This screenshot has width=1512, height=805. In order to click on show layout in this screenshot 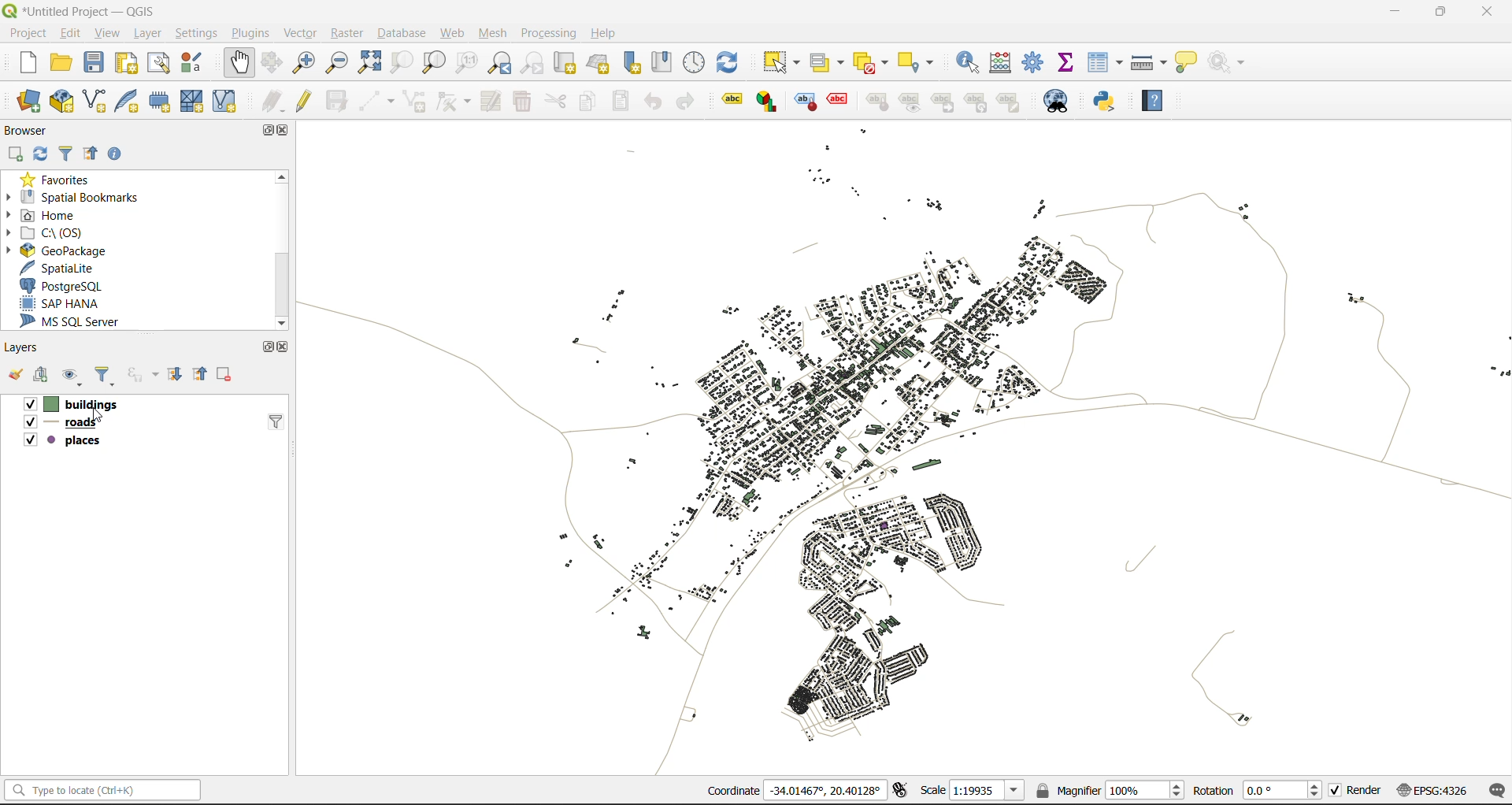, I will do `click(160, 63)`.